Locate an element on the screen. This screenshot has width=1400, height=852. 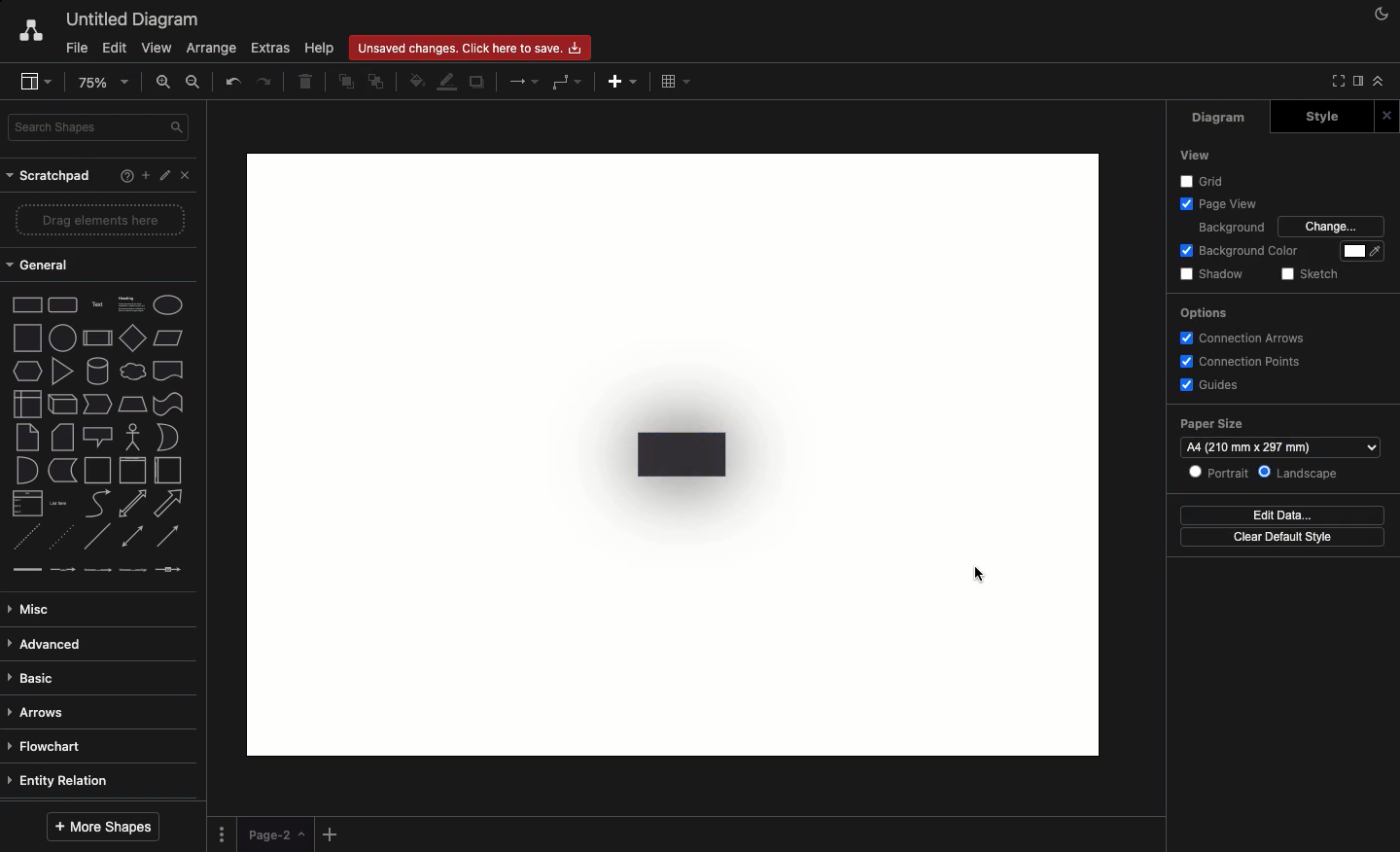
Line color is located at coordinates (446, 83).